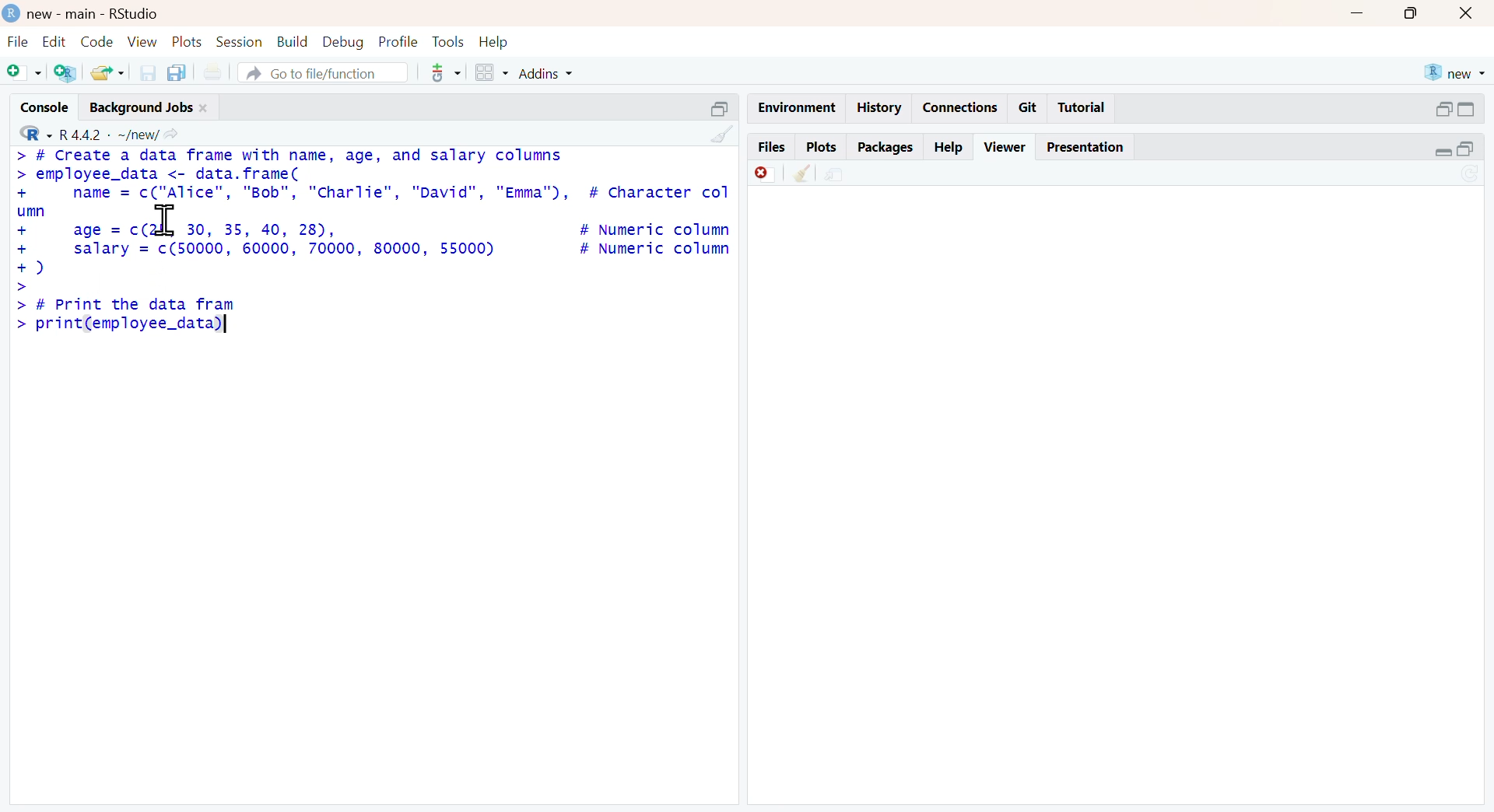 The height and width of the screenshot is (812, 1494). Describe the element at coordinates (1085, 147) in the screenshot. I see `Presentation` at that location.